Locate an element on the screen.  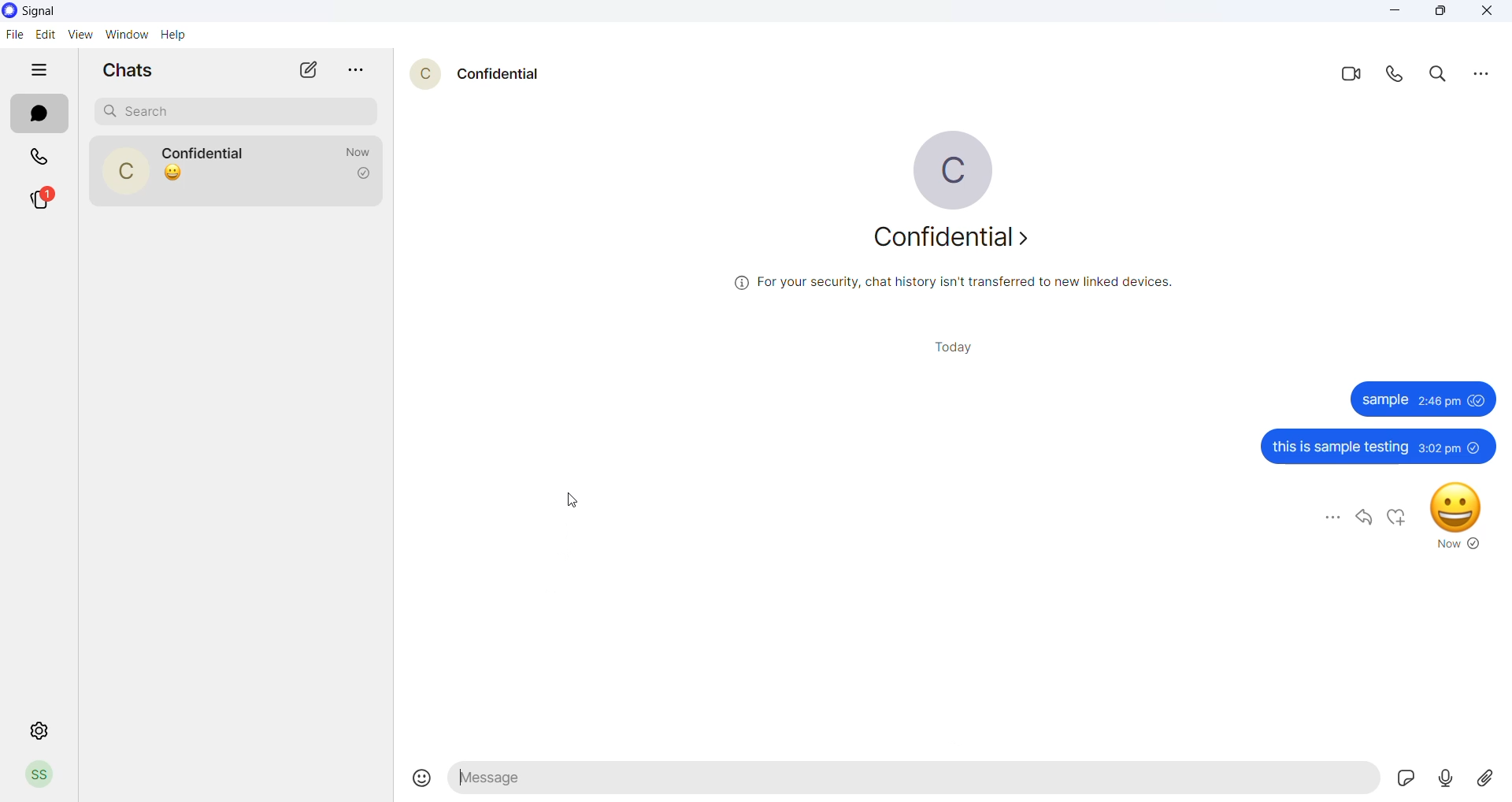
3:02 pm is located at coordinates (1439, 447).